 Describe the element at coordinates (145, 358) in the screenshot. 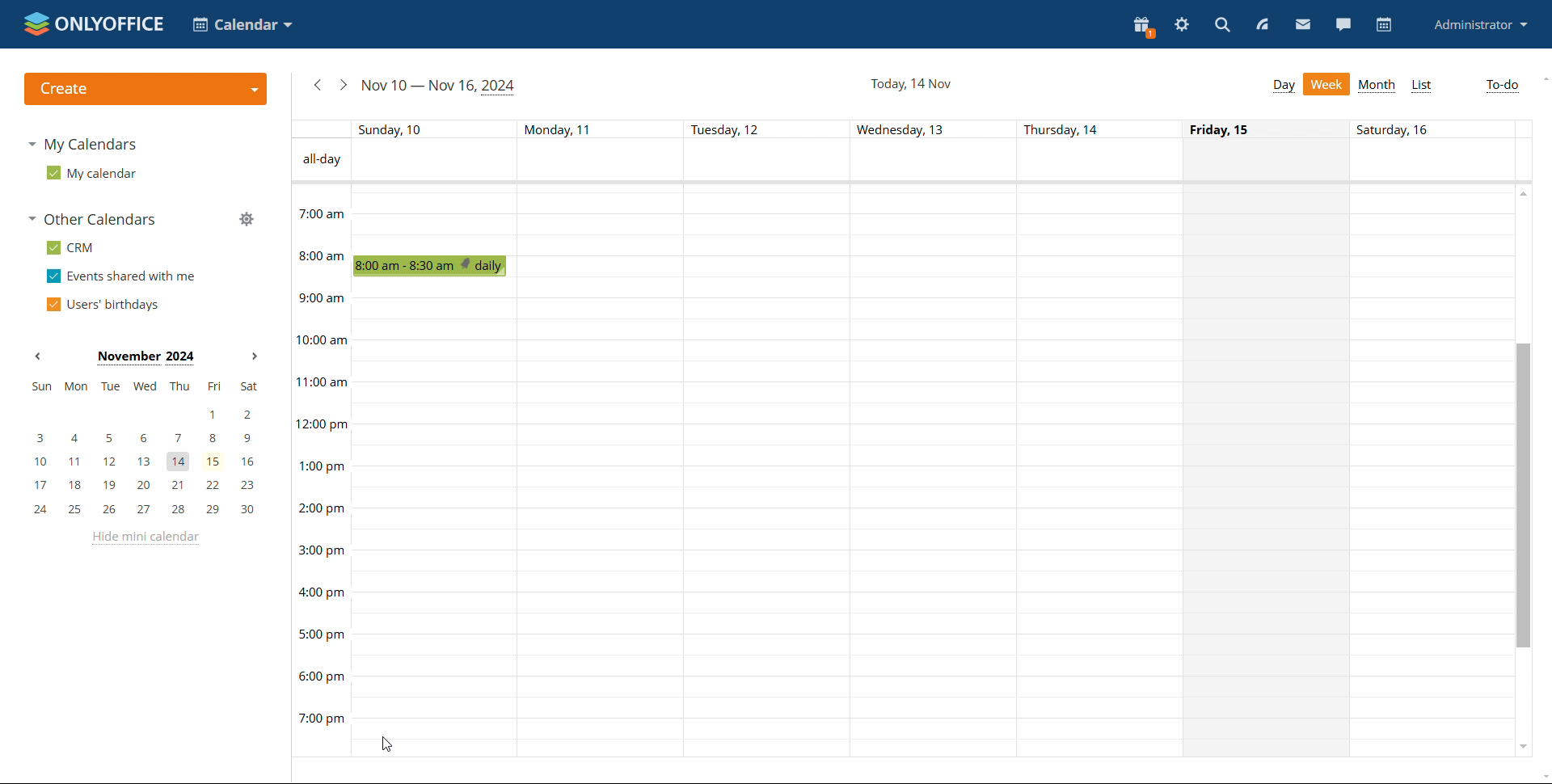

I see `current month` at that location.